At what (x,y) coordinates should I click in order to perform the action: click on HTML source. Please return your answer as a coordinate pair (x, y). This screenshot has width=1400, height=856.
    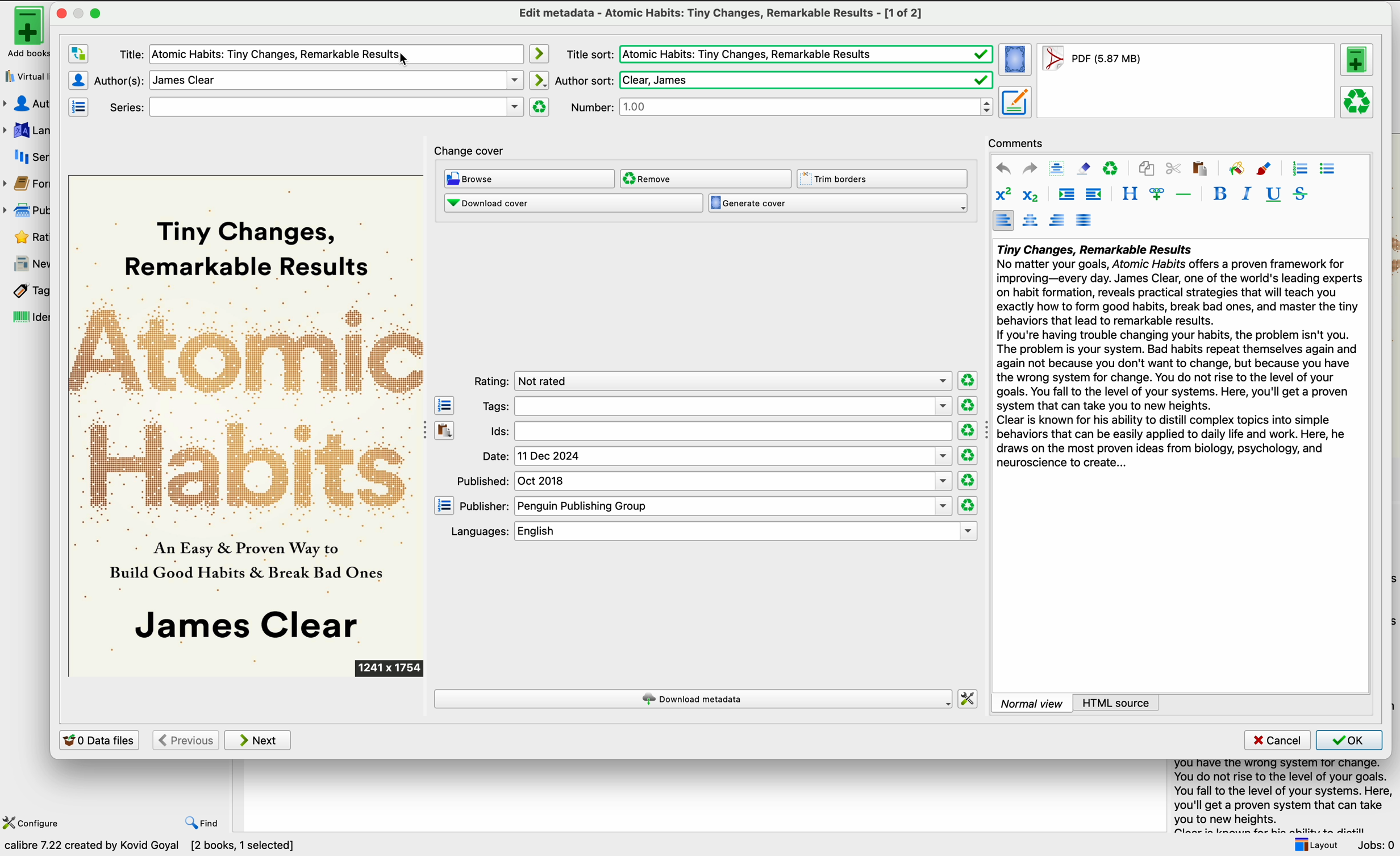
    Looking at the image, I should click on (1116, 703).